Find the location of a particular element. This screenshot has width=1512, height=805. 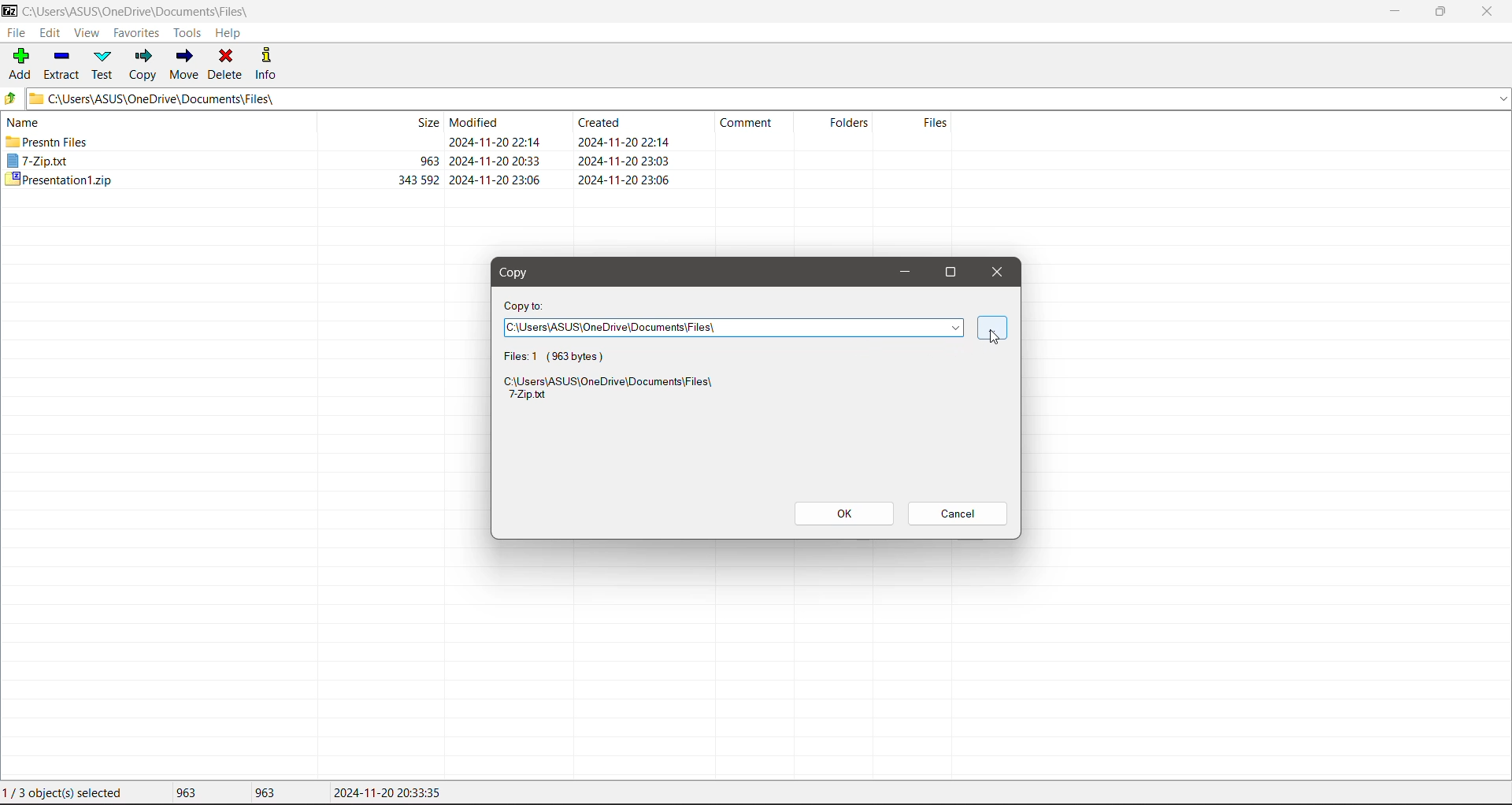

File Created Date is located at coordinates (624, 151).